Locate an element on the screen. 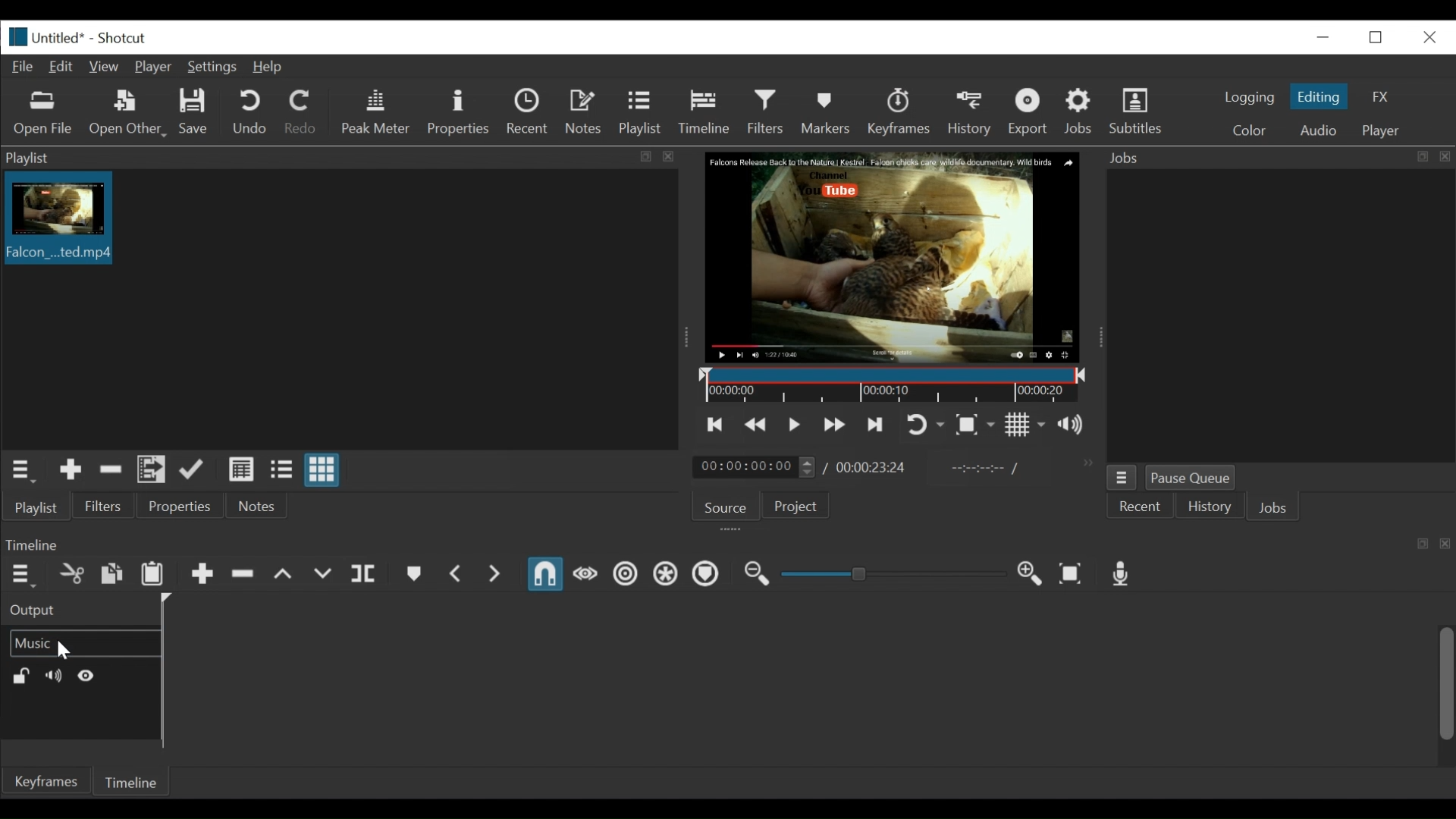 Image resolution: width=1456 pixels, height=819 pixels. Jobs Panel is located at coordinates (1275, 158).